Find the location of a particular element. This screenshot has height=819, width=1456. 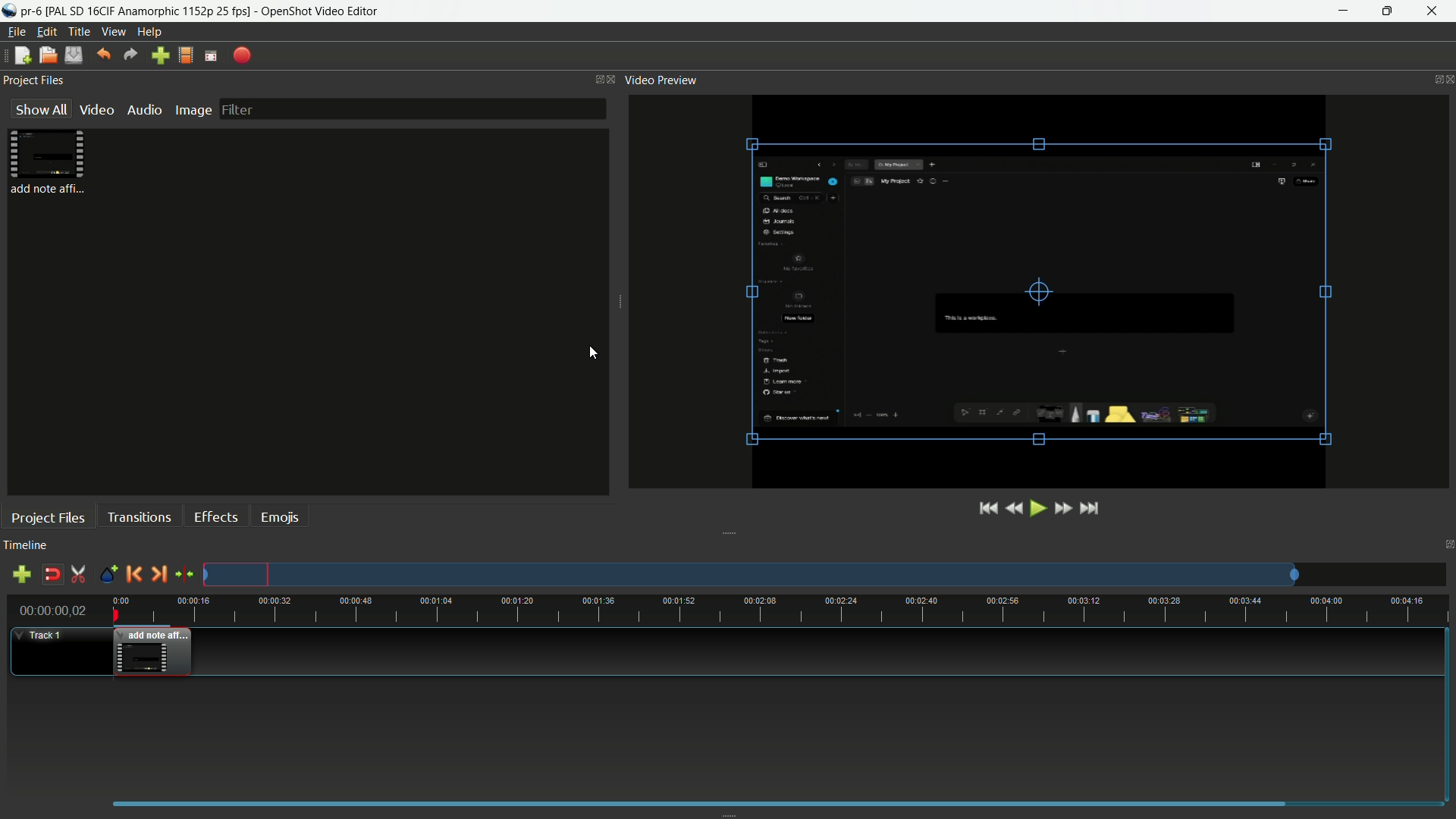

import file is located at coordinates (159, 55).